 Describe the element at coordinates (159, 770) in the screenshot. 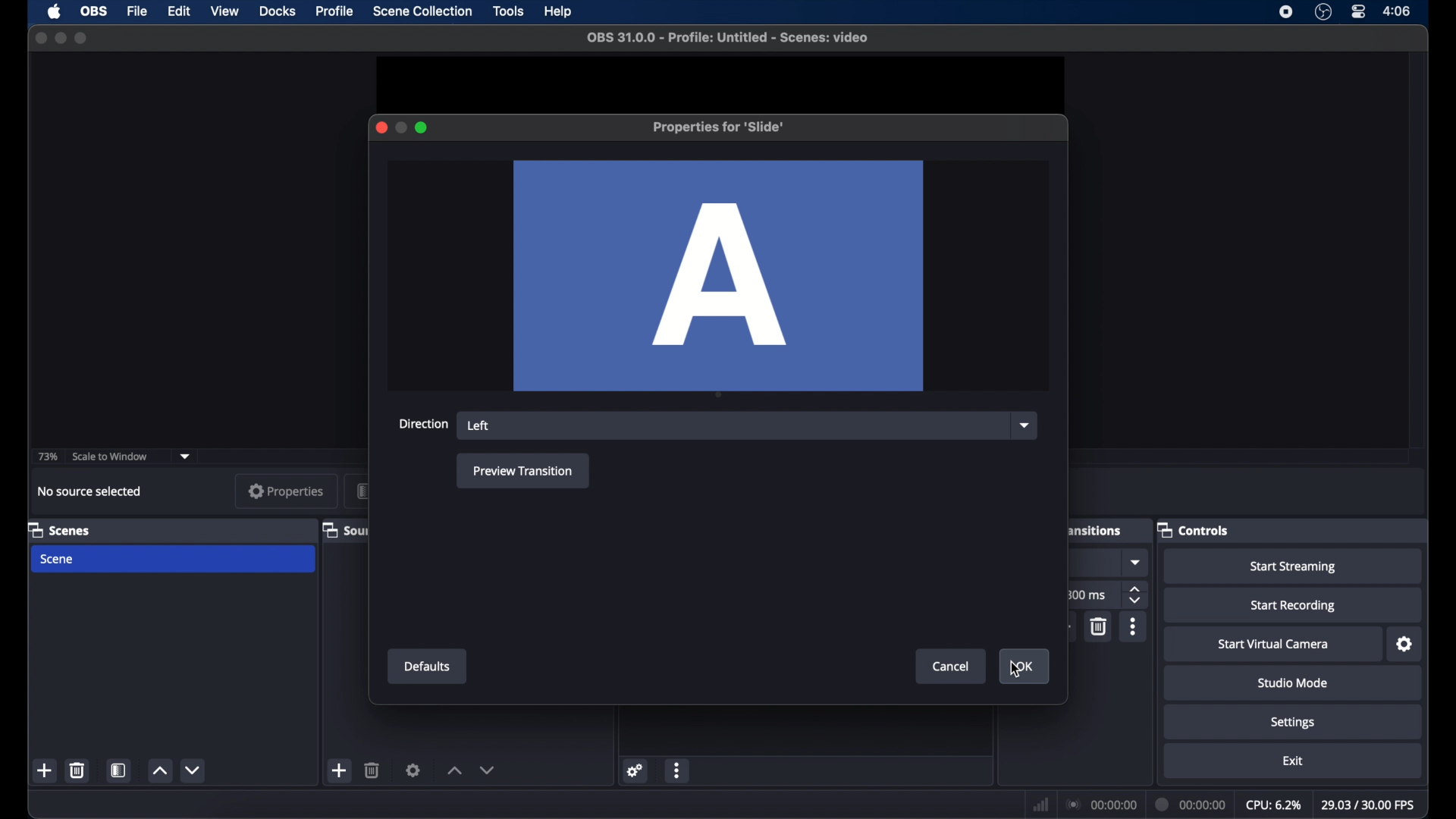

I see `increment` at that location.